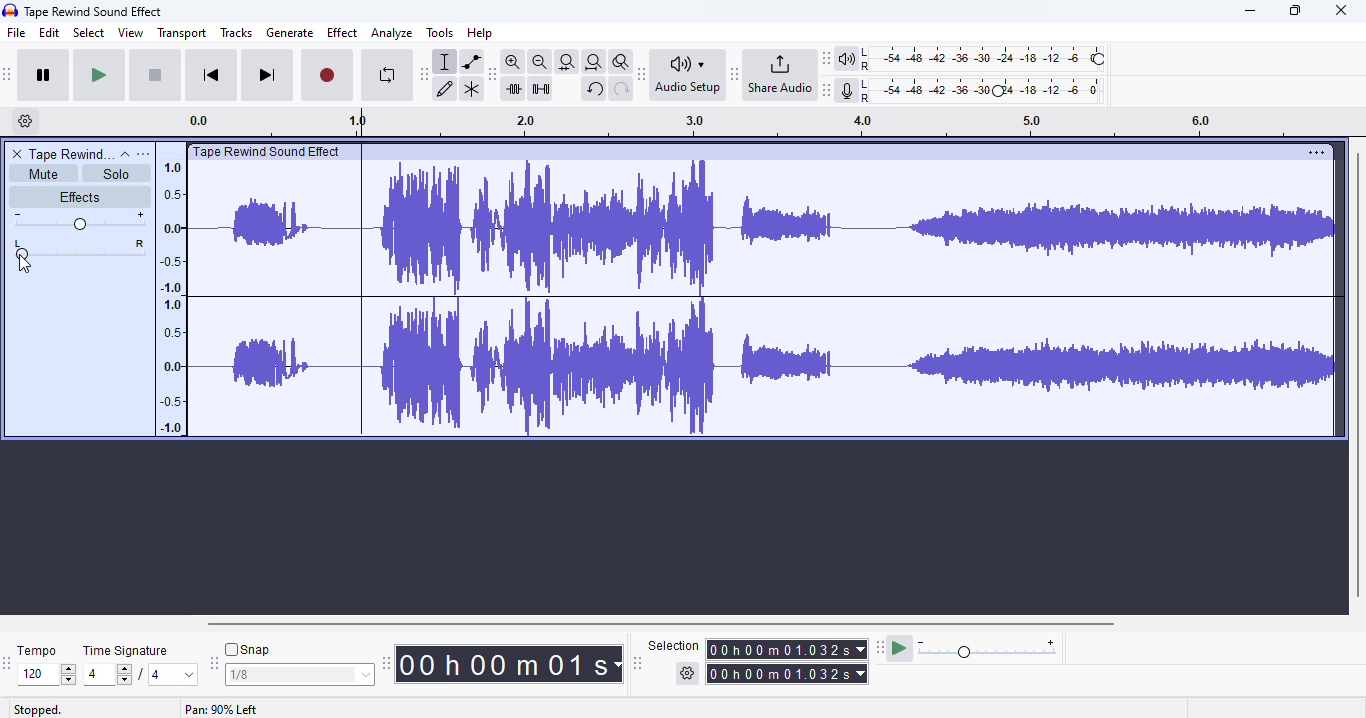 The width and height of the screenshot is (1366, 718). Describe the element at coordinates (1313, 152) in the screenshot. I see `More options` at that location.